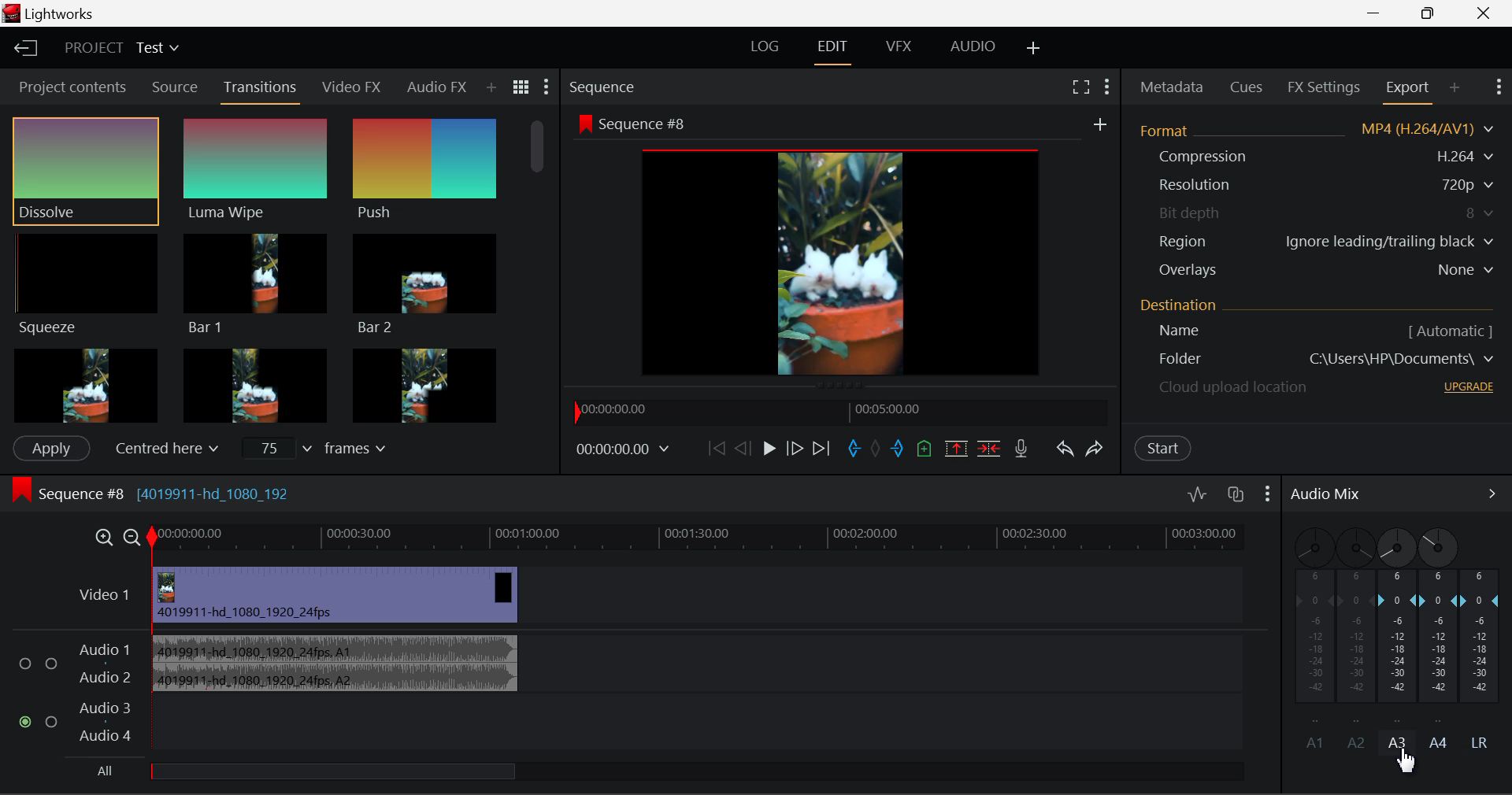  What do you see at coordinates (1485, 13) in the screenshot?
I see `Close` at bounding box center [1485, 13].